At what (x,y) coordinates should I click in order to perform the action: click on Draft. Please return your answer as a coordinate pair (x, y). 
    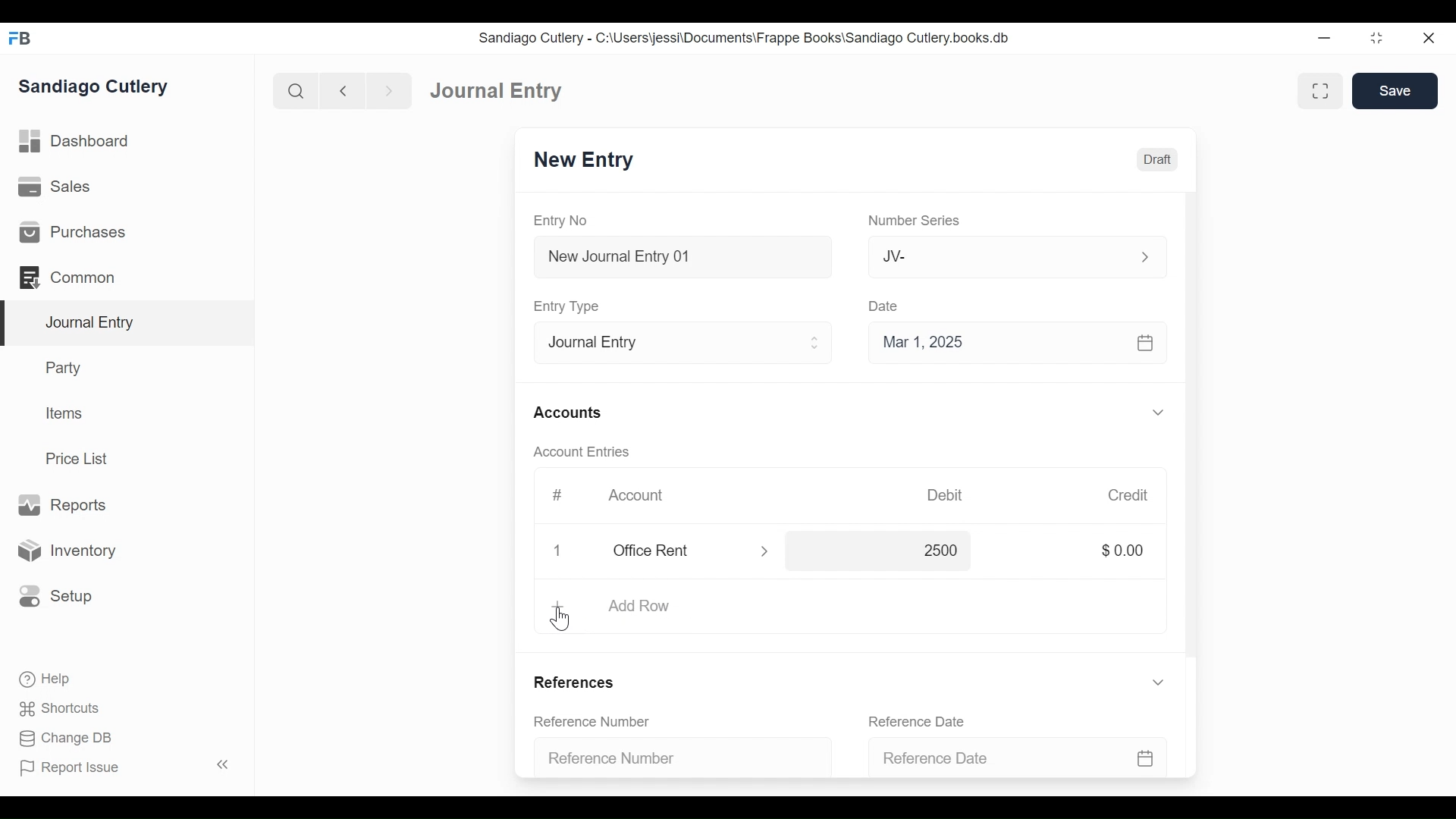
    Looking at the image, I should click on (1155, 159).